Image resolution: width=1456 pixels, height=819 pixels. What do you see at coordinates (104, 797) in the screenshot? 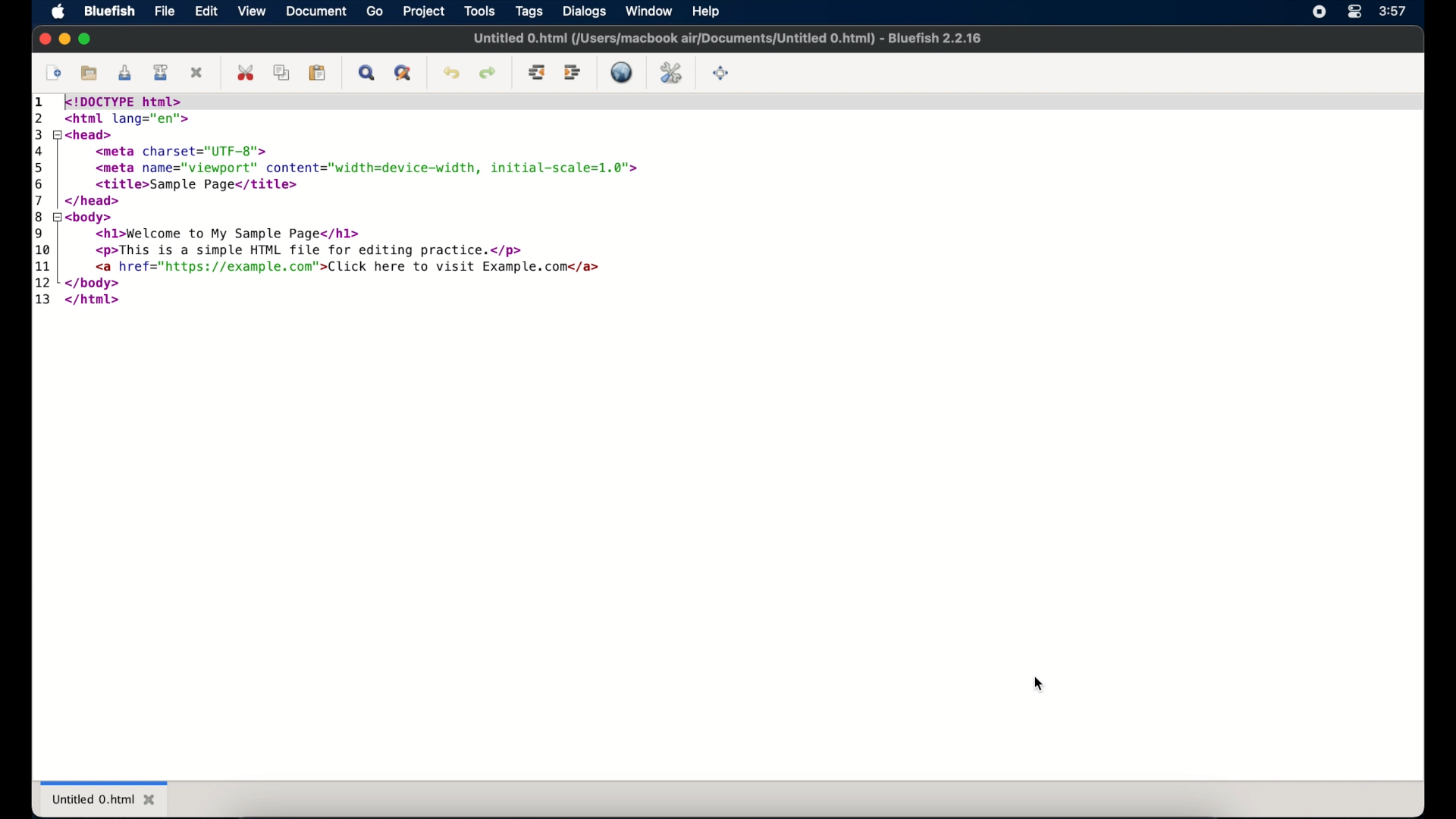
I see `untitled 0.html` at bounding box center [104, 797].